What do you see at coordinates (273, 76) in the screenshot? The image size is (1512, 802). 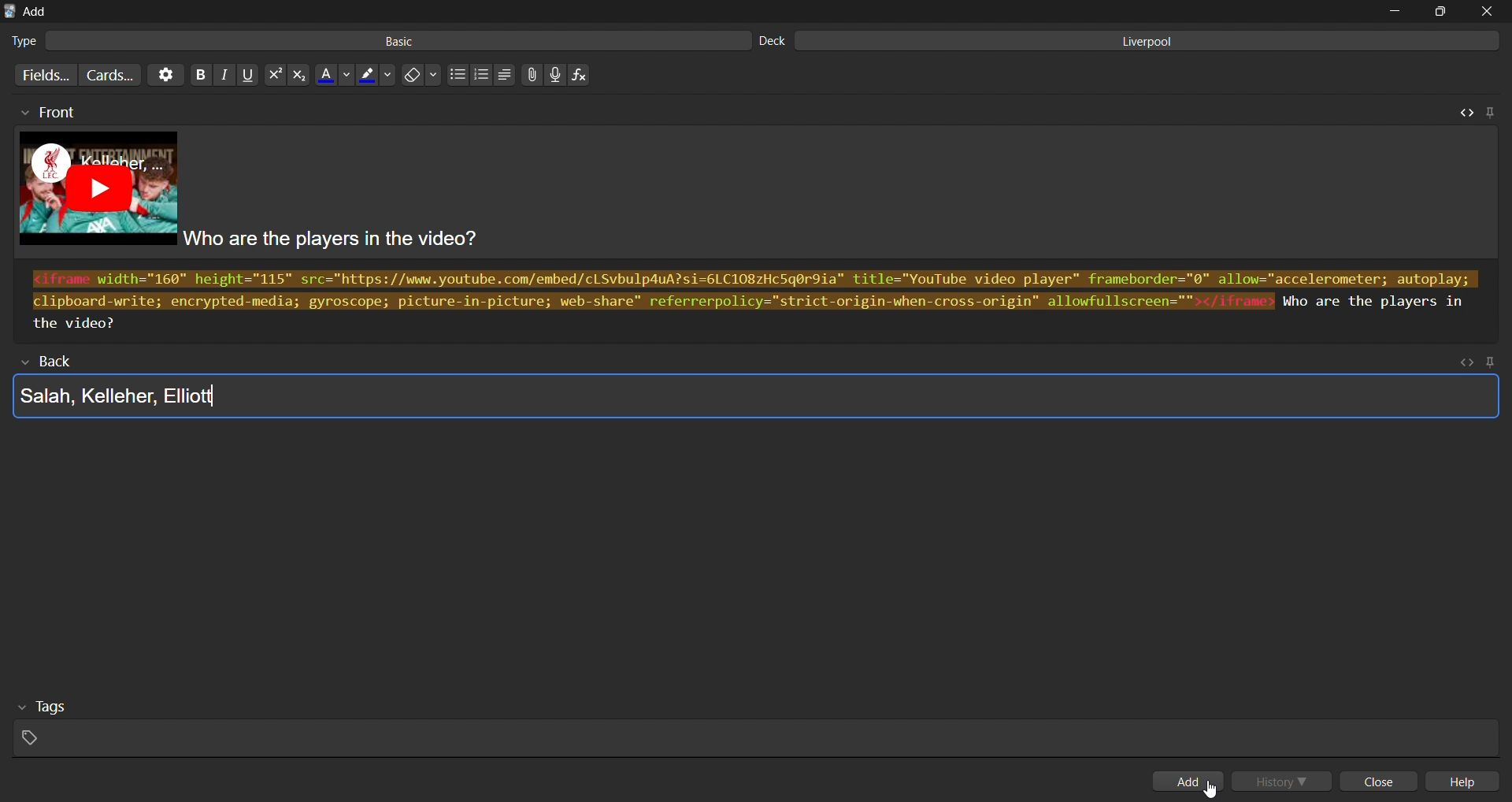 I see `superscript` at bounding box center [273, 76].